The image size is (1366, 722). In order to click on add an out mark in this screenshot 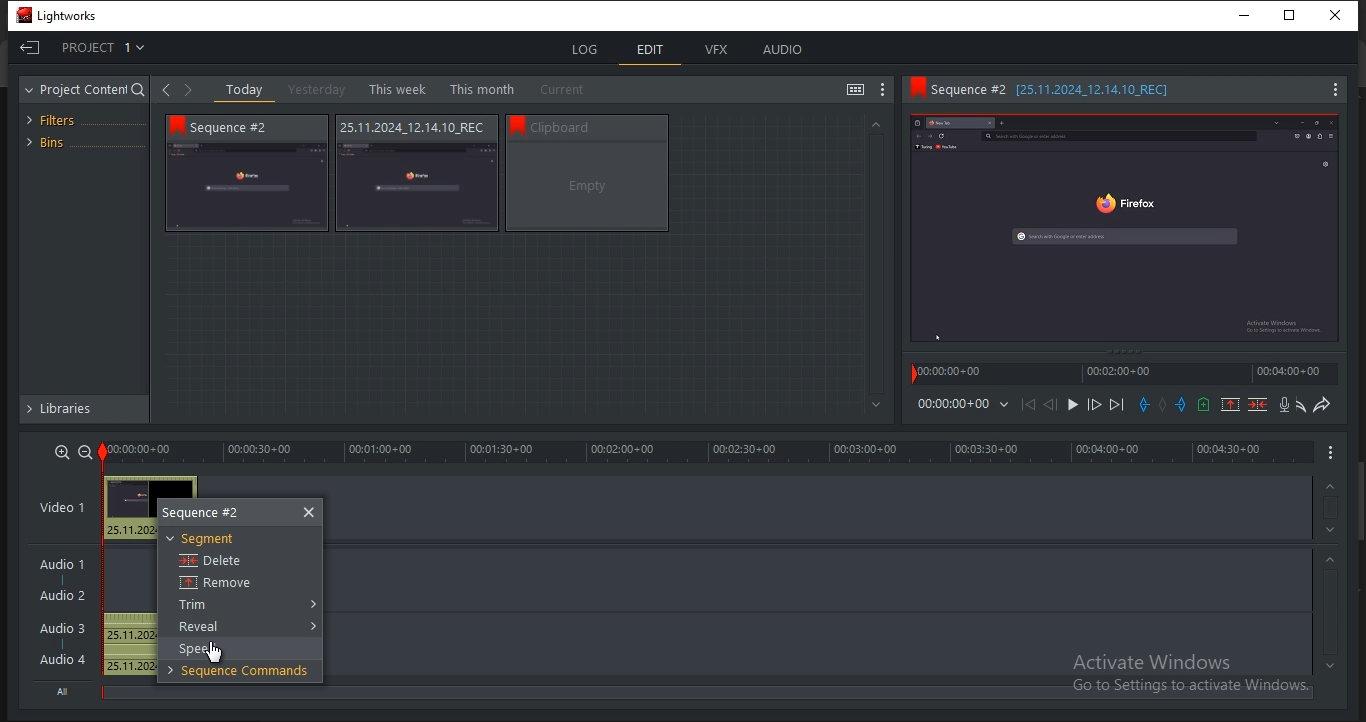, I will do `click(1180, 405)`.